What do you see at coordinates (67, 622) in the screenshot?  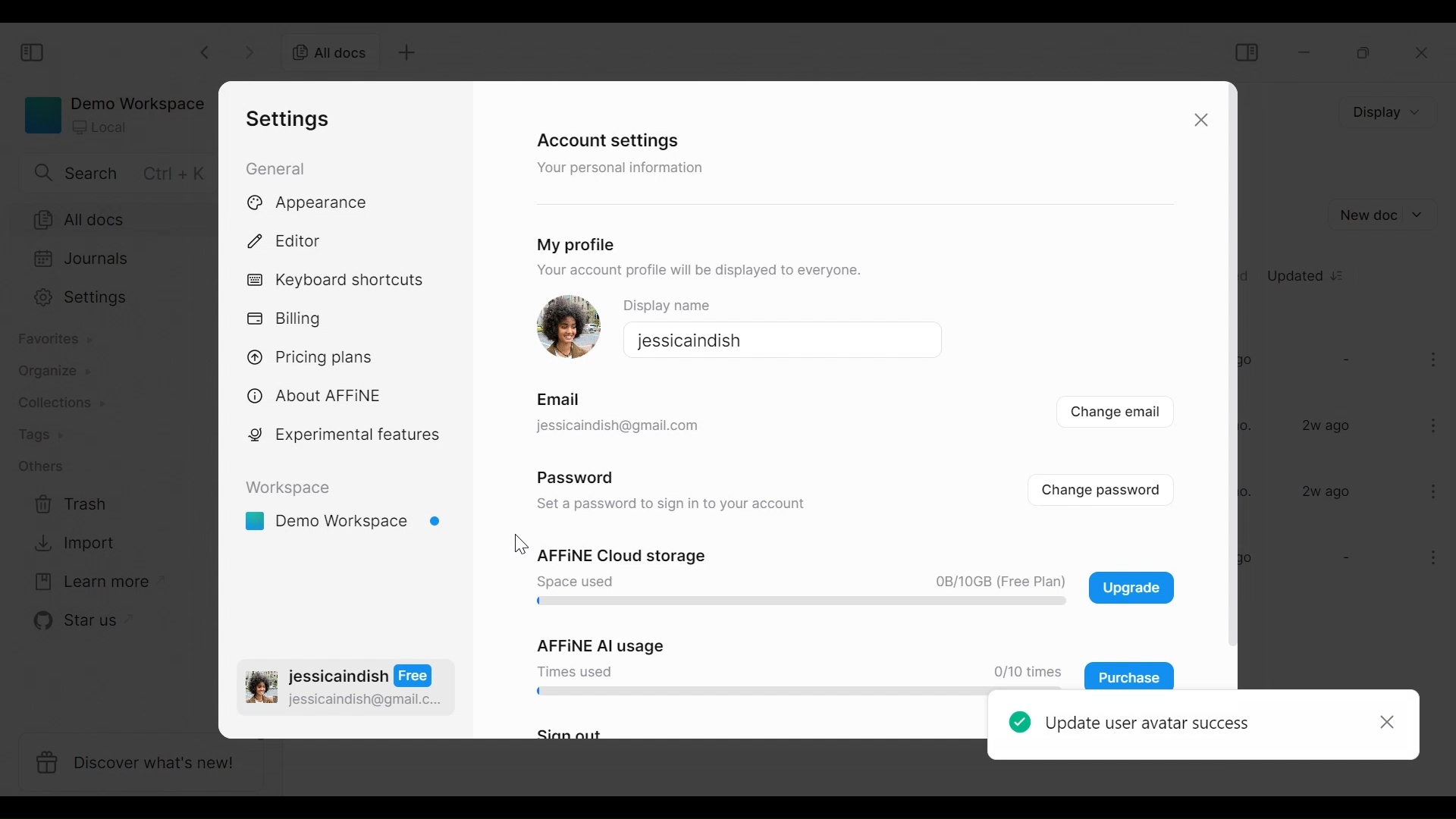 I see `Star us` at bounding box center [67, 622].